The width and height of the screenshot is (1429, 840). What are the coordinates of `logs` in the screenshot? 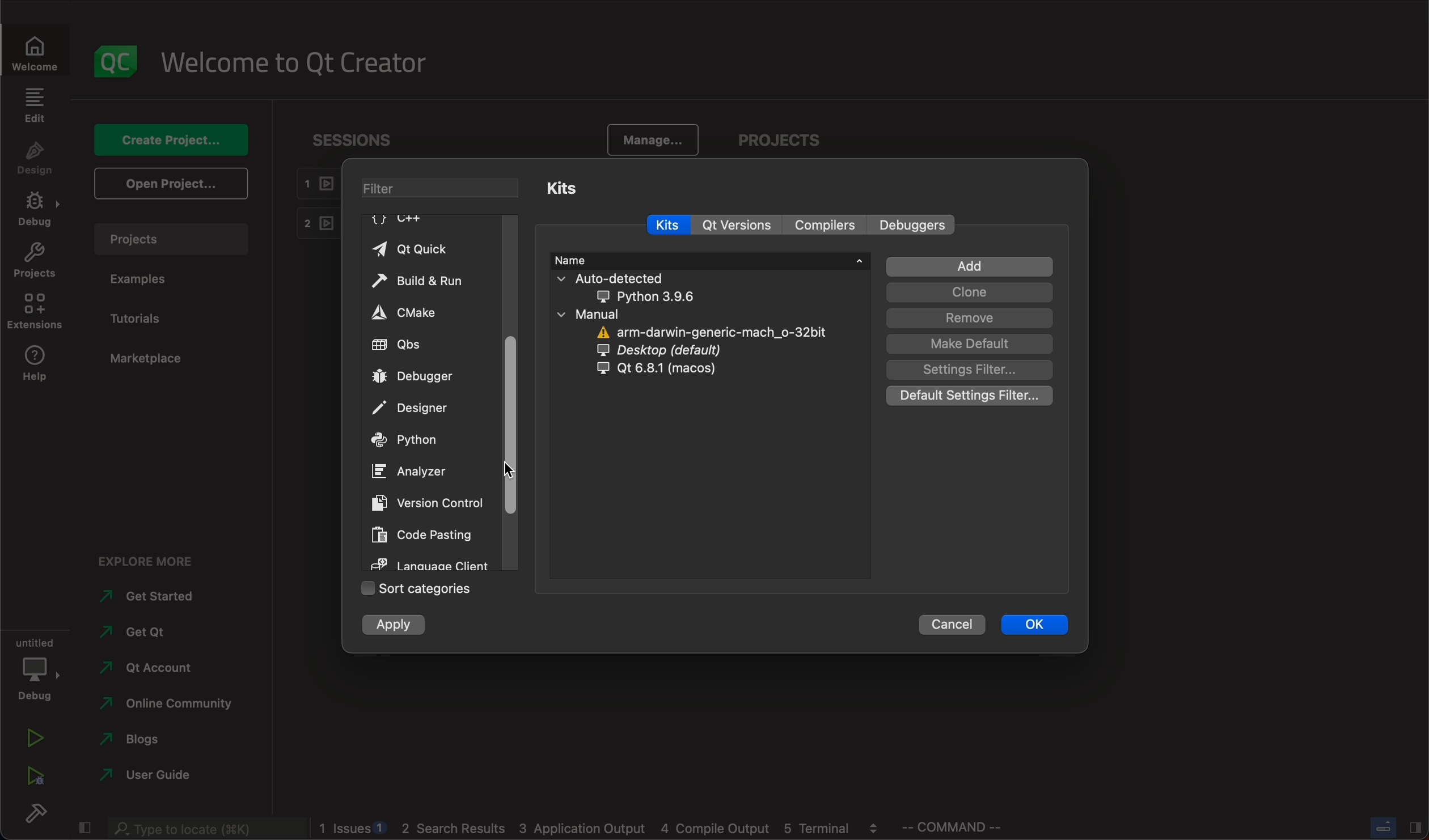 It's located at (599, 828).